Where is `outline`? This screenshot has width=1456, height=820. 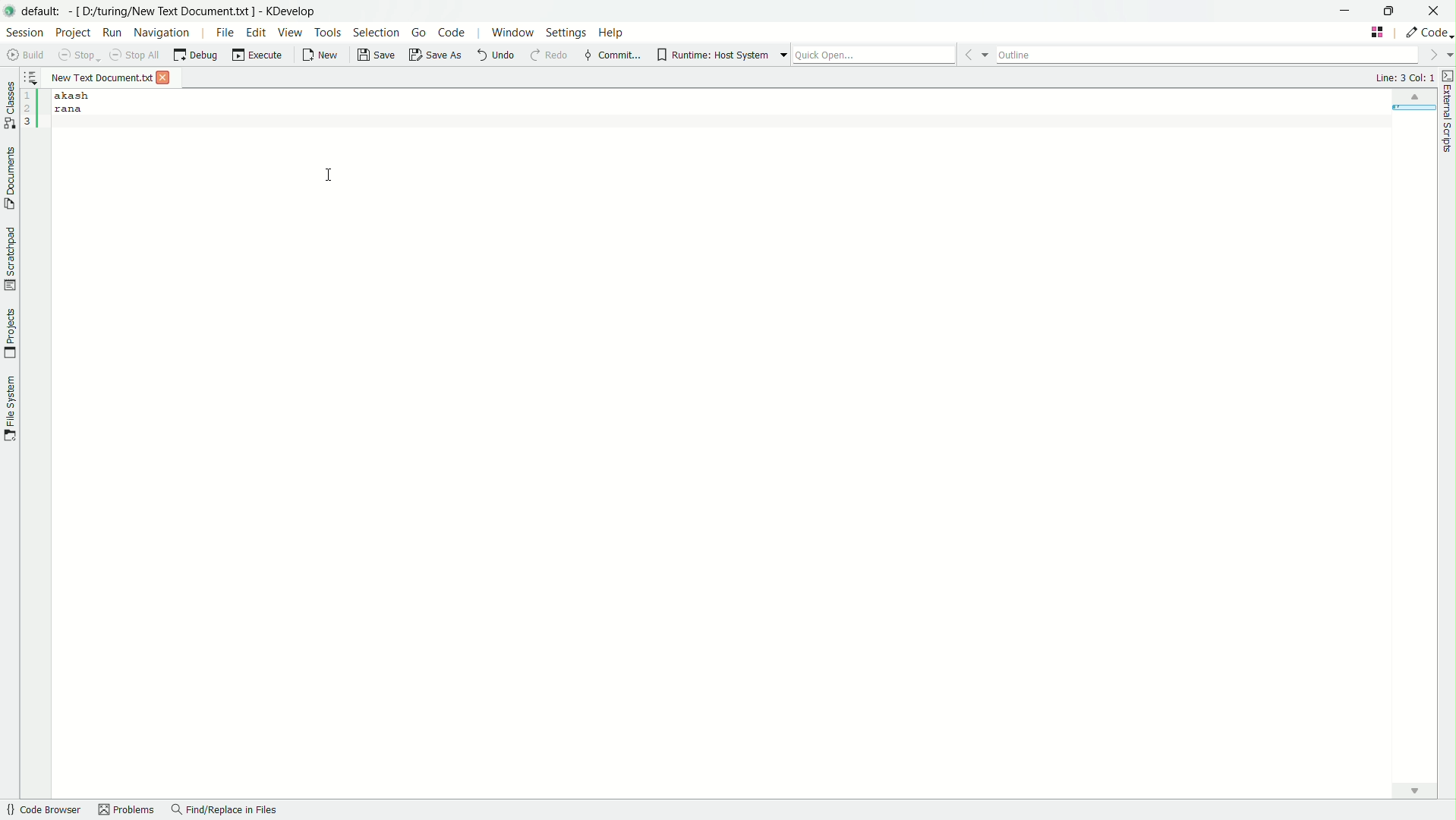 outline is located at coordinates (1208, 54).